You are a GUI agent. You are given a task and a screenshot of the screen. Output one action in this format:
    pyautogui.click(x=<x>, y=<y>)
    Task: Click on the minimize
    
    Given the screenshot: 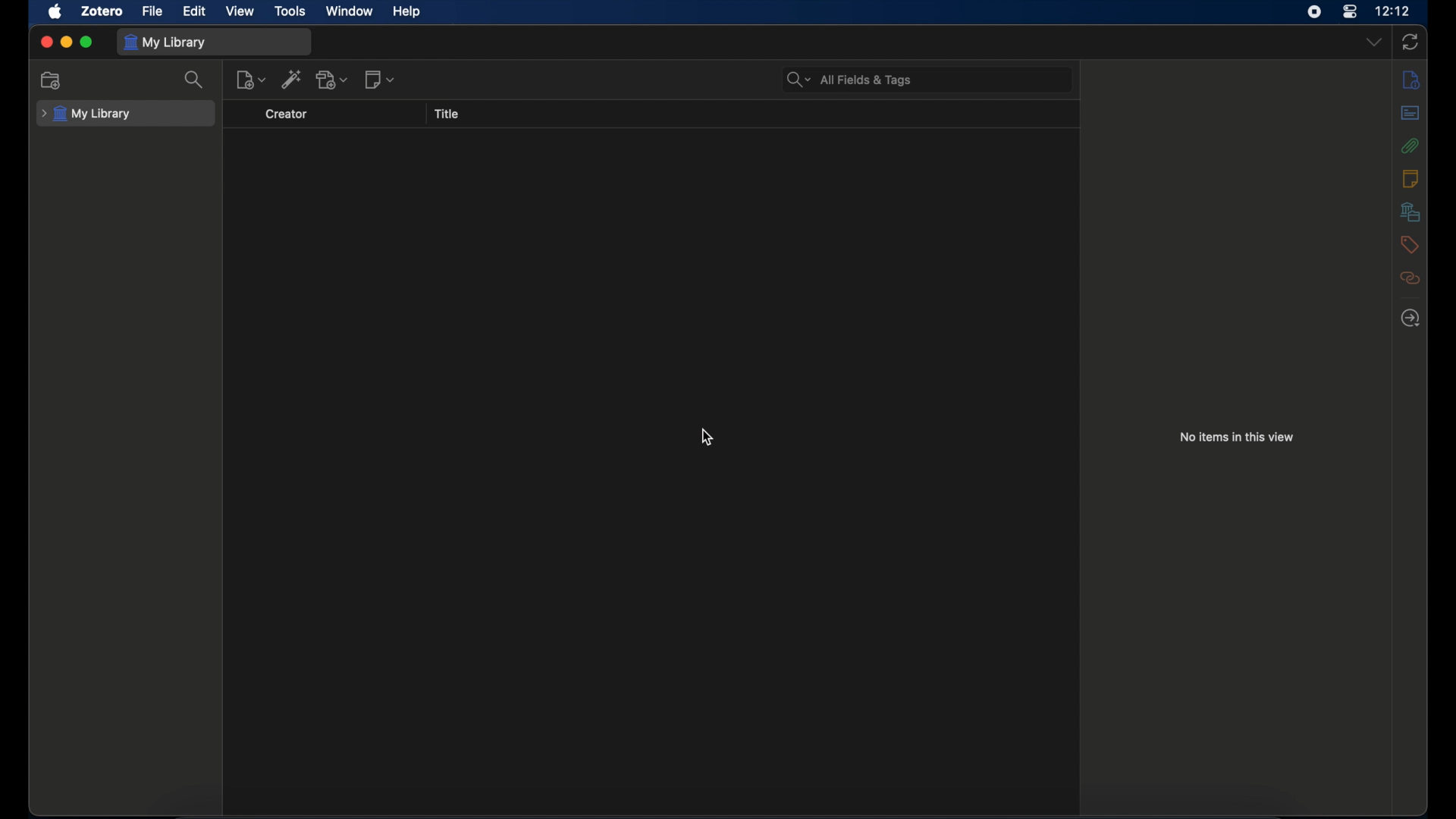 What is the action you would take?
    pyautogui.click(x=67, y=42)
    